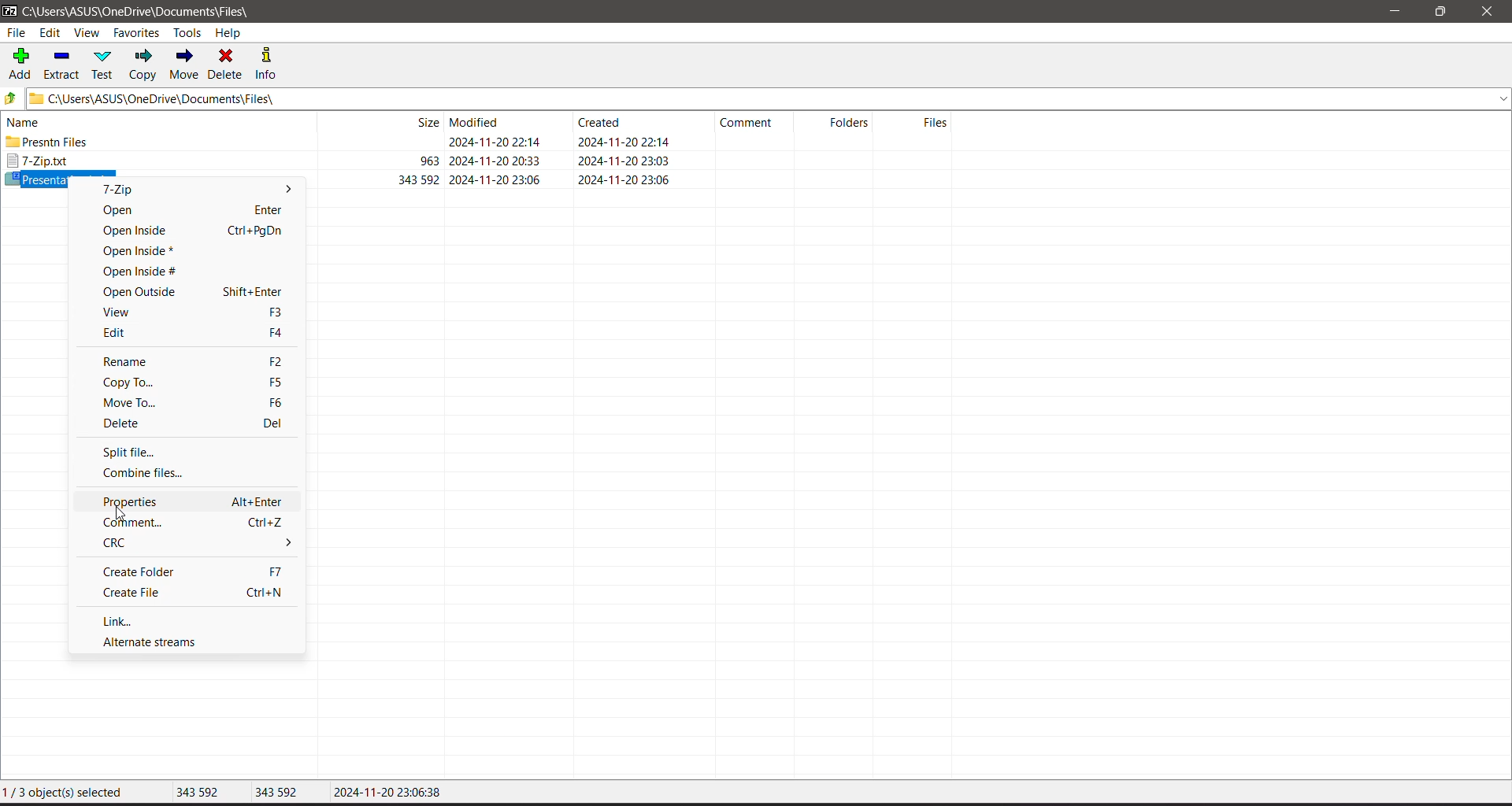 The image size is (1512, 806). I want to click on Modified Date of the selected file, so click(387, 794).